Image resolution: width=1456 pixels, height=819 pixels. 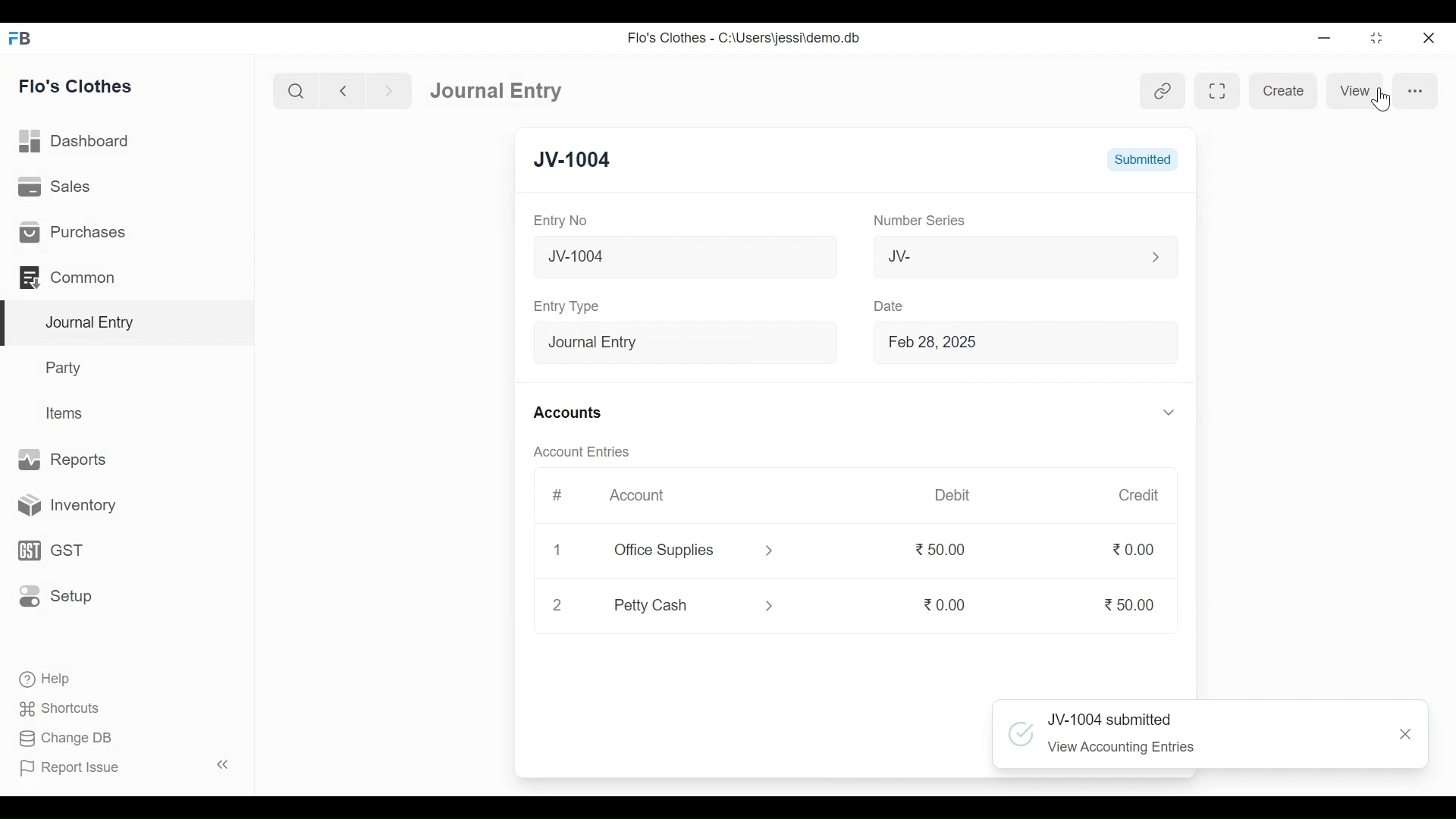 What do you see at coordinates (1356, 90) in the screenshot?
I see `View` at bounding box center [1356, 90].